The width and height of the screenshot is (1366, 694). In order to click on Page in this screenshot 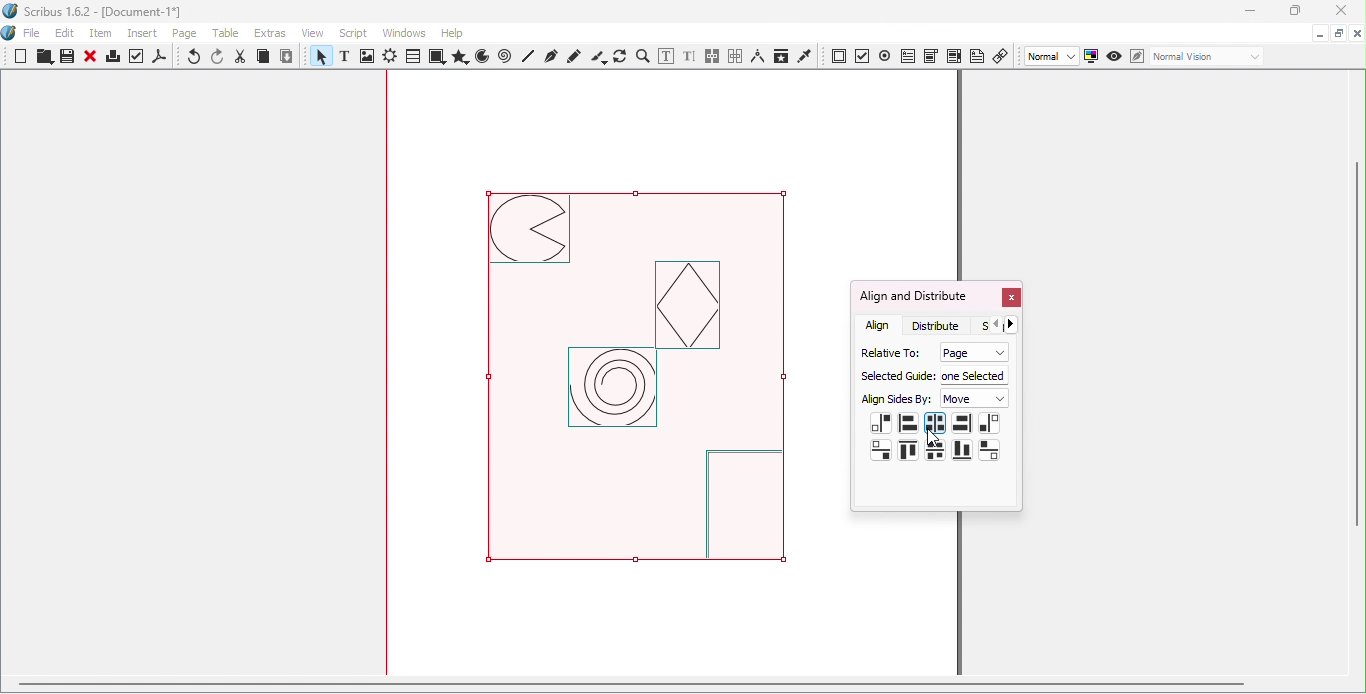, I will do `click(971, 352)`.